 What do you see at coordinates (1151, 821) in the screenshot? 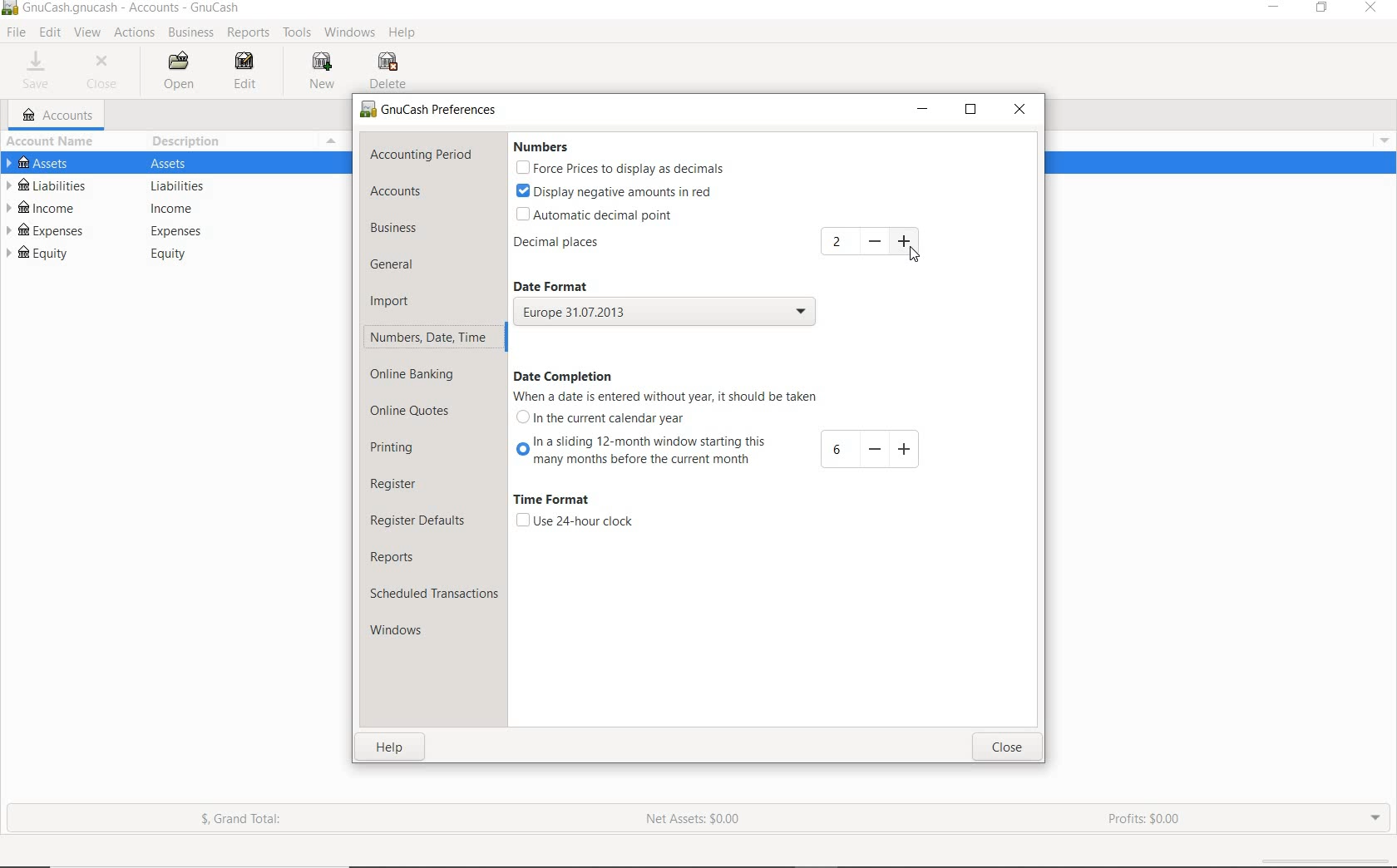
I see `PROFITS` at bounding box center [1151, 821].